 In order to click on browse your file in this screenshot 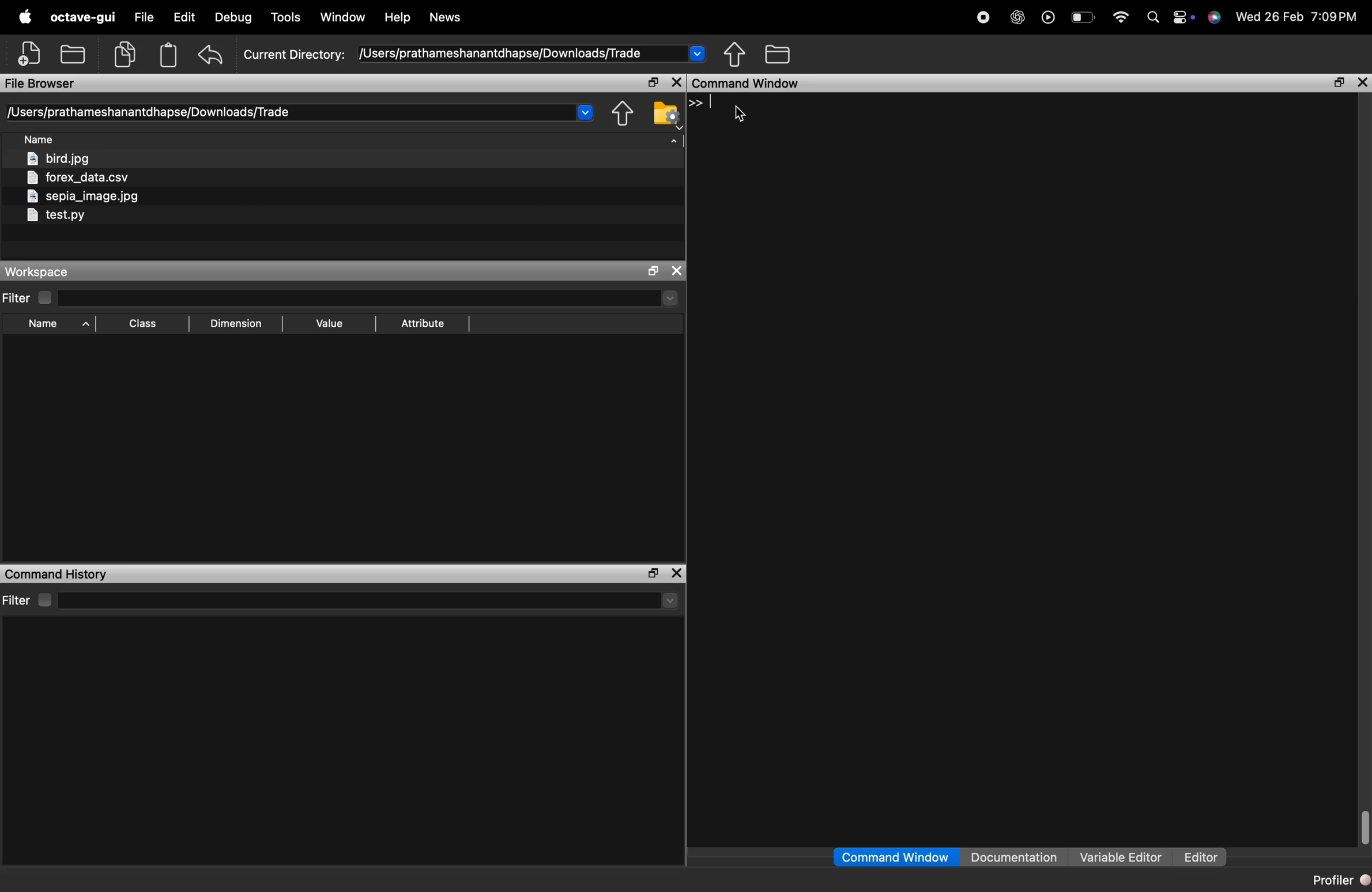, I will do `click(666, 113)`.